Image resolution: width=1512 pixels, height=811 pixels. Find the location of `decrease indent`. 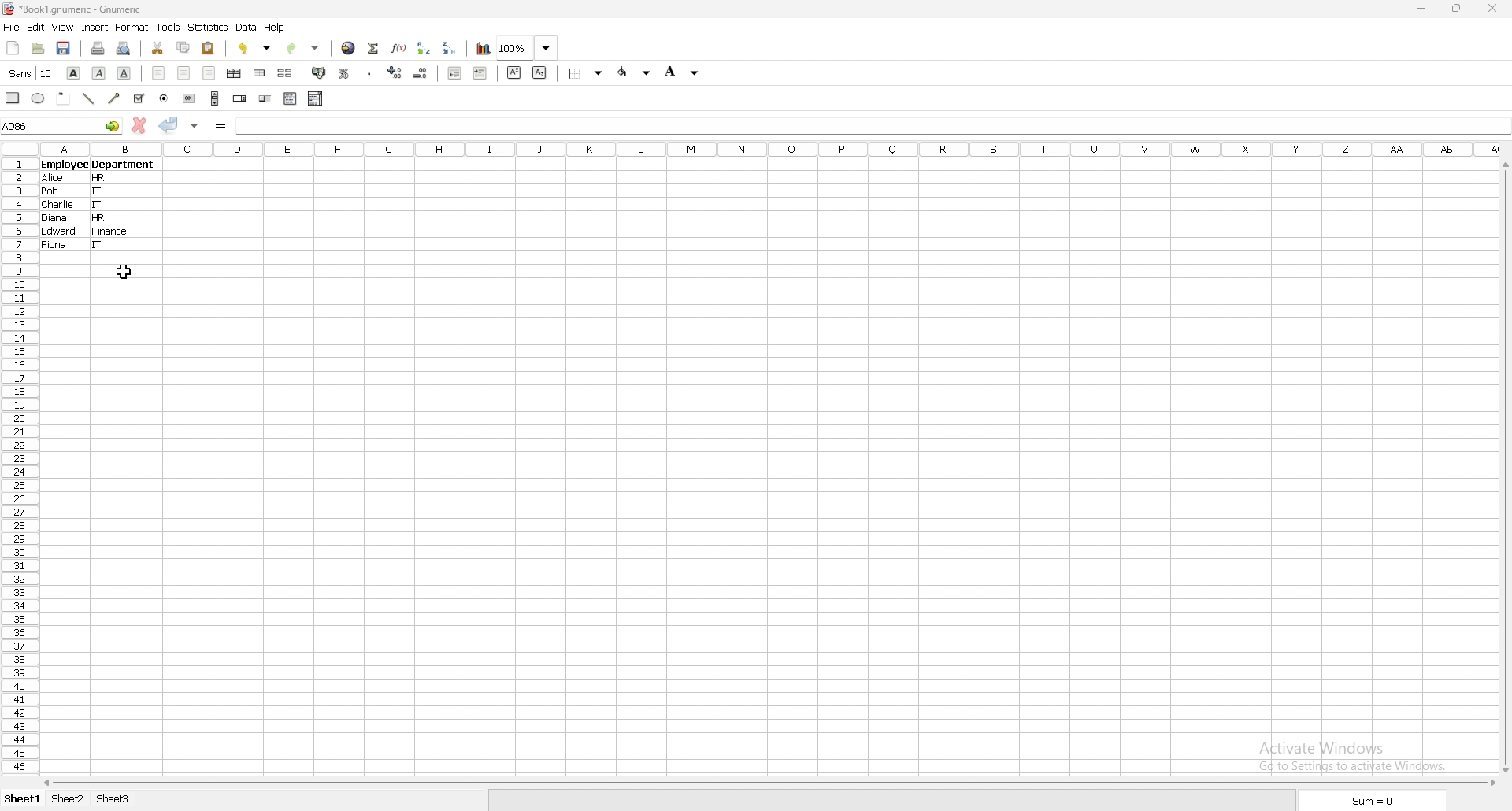

decrease indent is located at coordinates (454, 73).